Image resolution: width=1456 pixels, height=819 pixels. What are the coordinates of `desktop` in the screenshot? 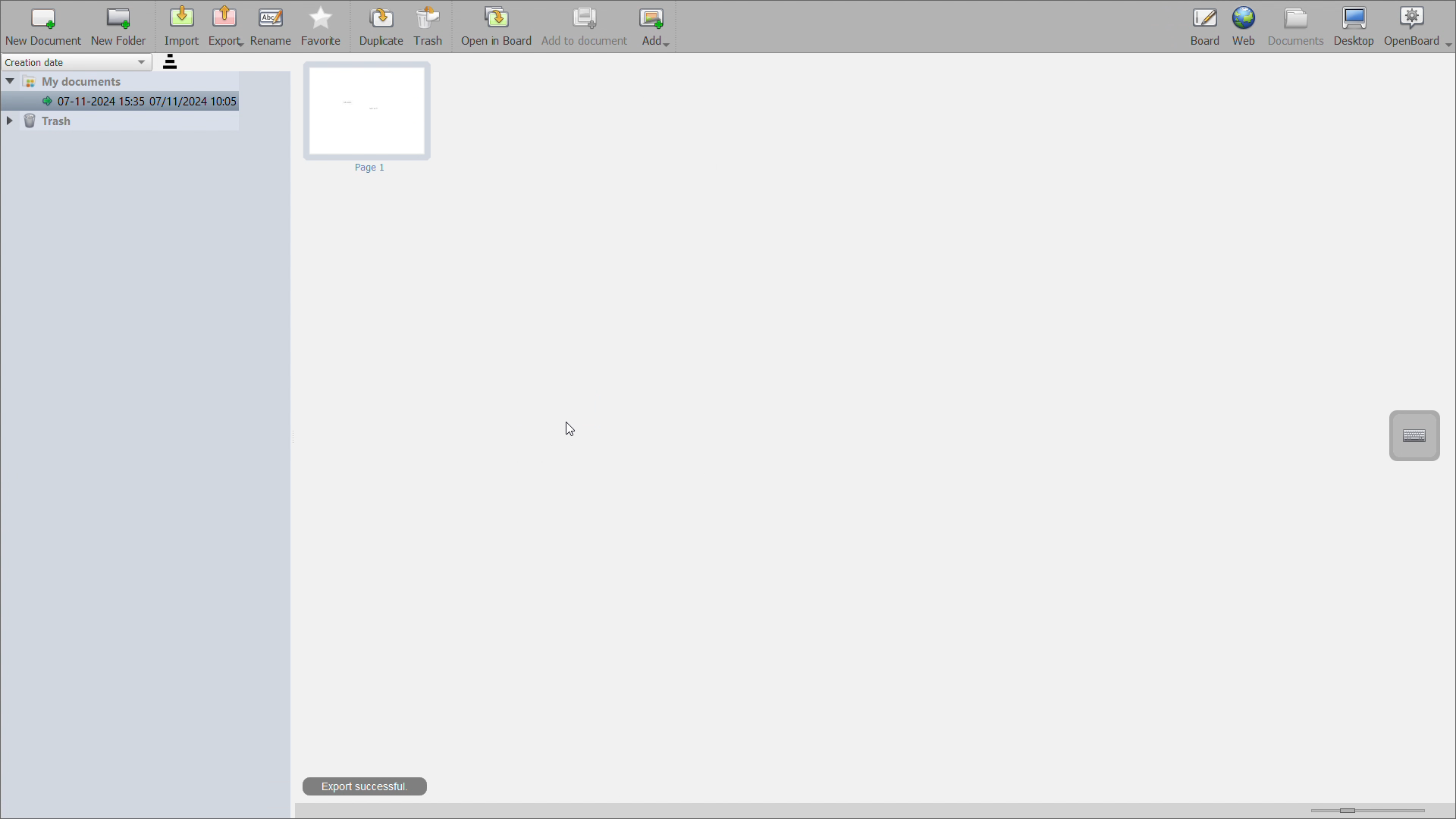 It's located at (1354, 27).